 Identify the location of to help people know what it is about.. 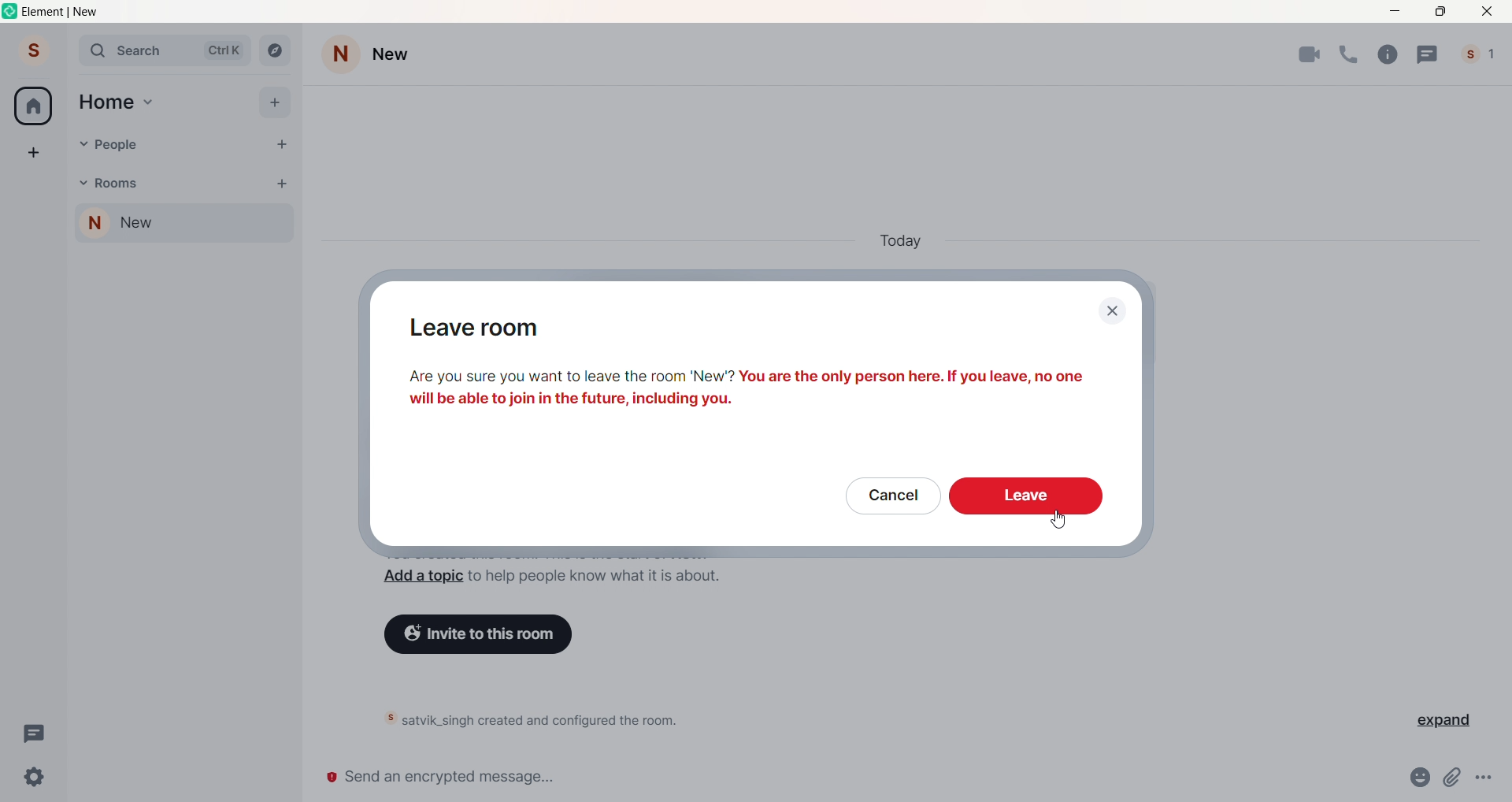
(593, 580).